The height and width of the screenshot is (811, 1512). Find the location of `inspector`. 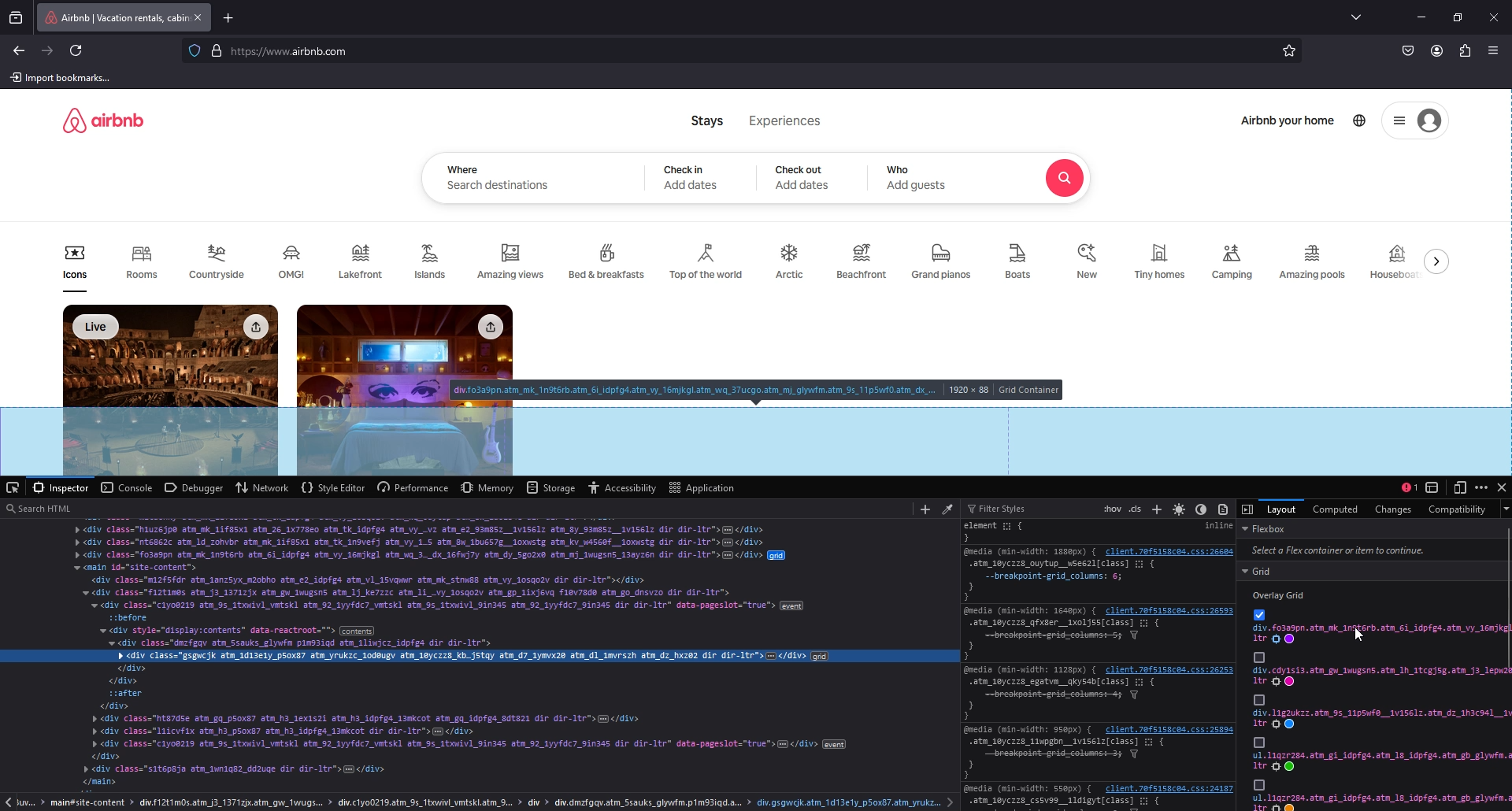

inspector is located at coordinates (63, 487).